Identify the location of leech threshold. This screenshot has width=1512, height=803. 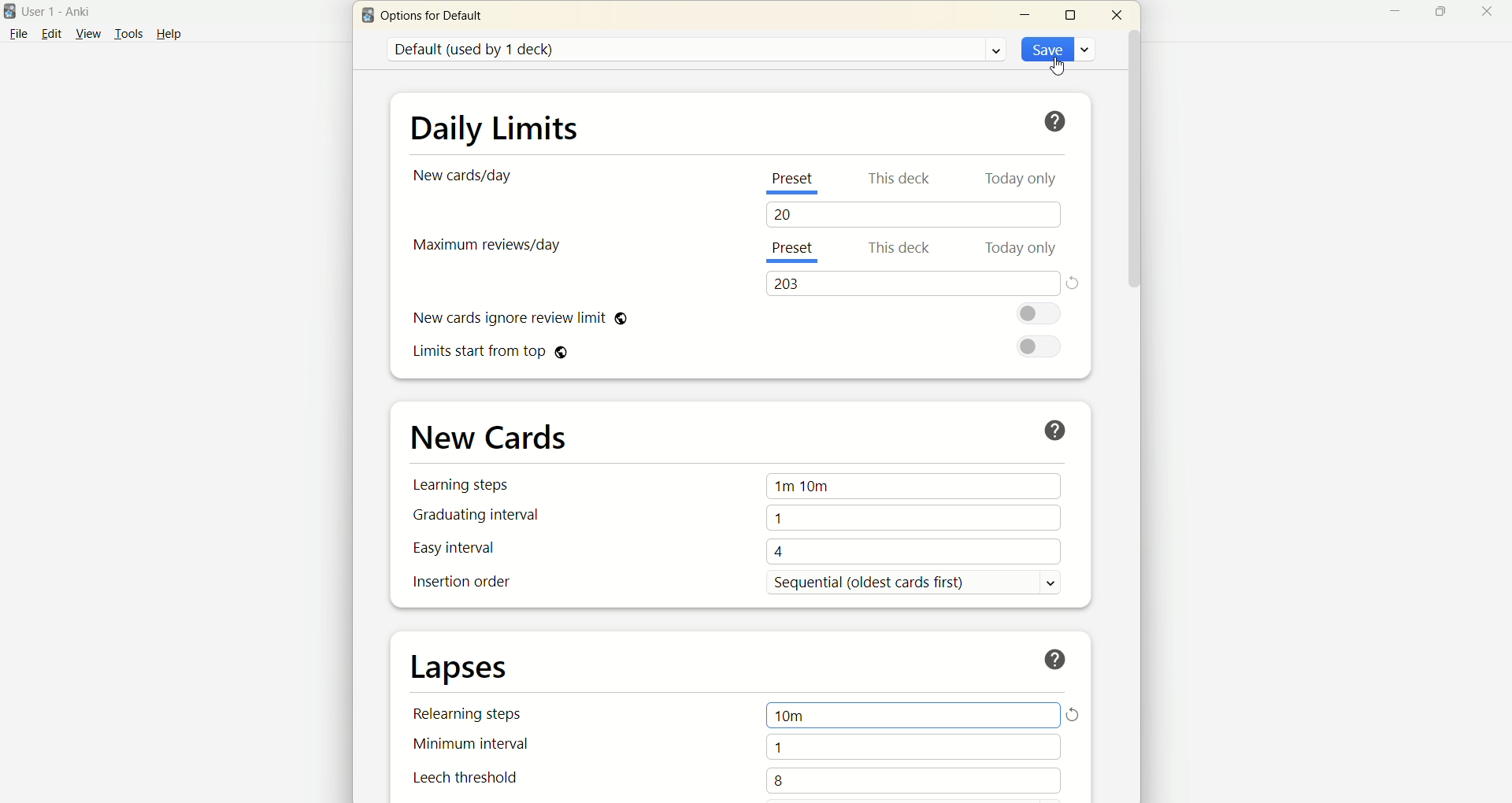
(466, 779).